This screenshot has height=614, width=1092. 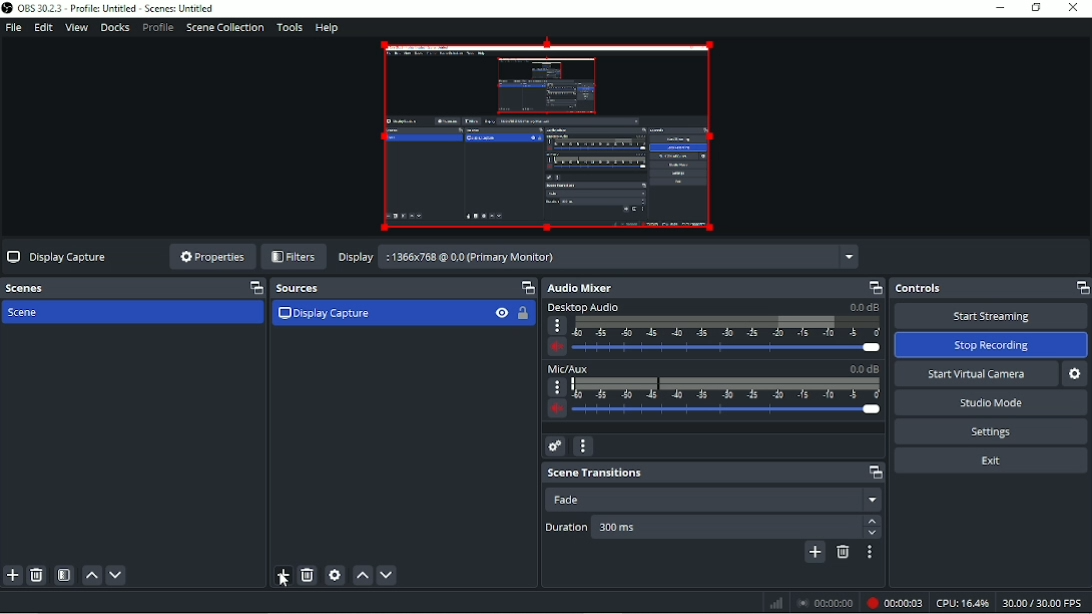 What do you see at coordinates (842, 552) in the screenshot?
I see `Remove configurable transition` at bounding box center [842, 552].